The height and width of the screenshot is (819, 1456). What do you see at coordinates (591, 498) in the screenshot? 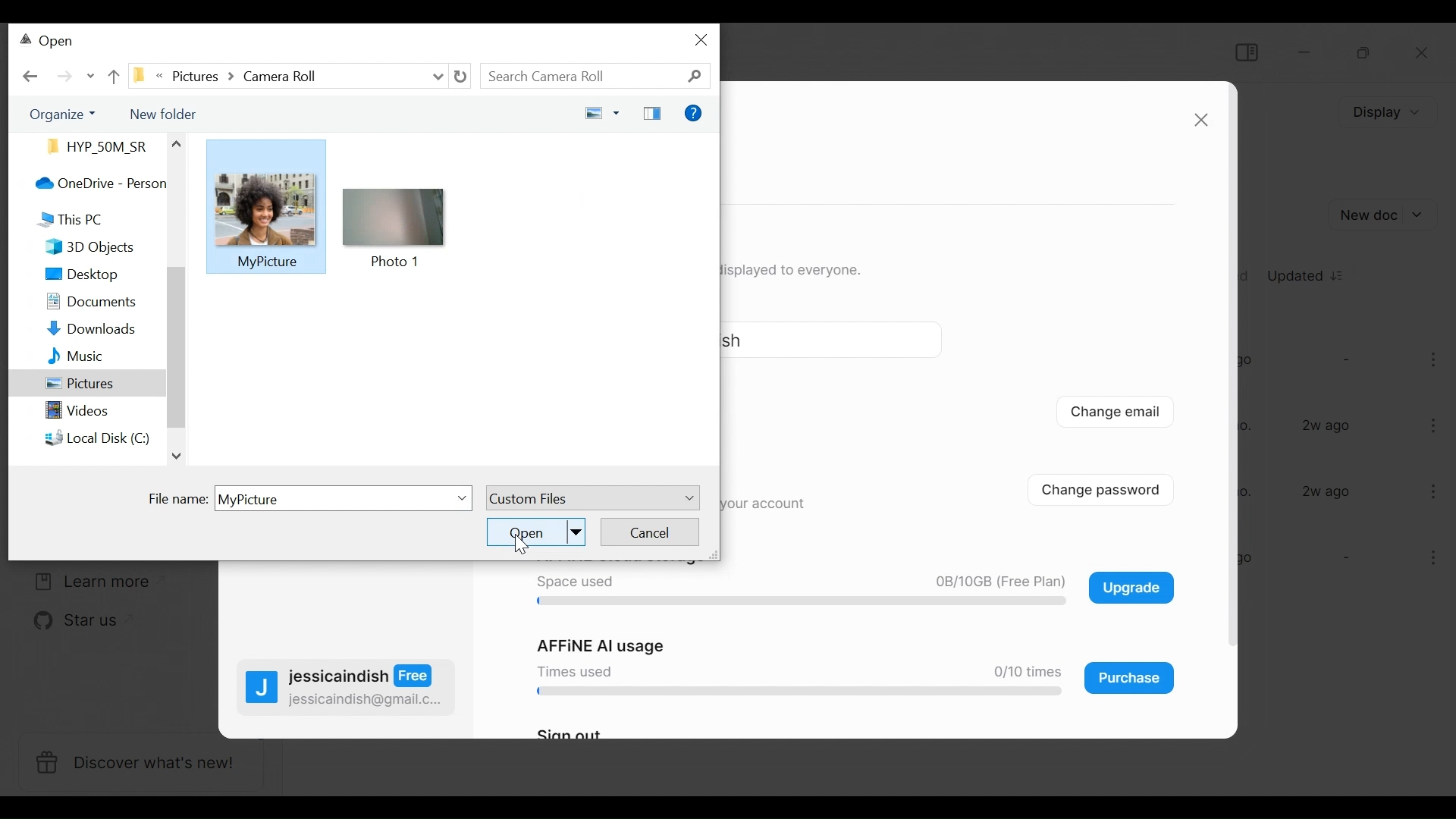
I see `Custom Files` at bounding box center [591, 498].